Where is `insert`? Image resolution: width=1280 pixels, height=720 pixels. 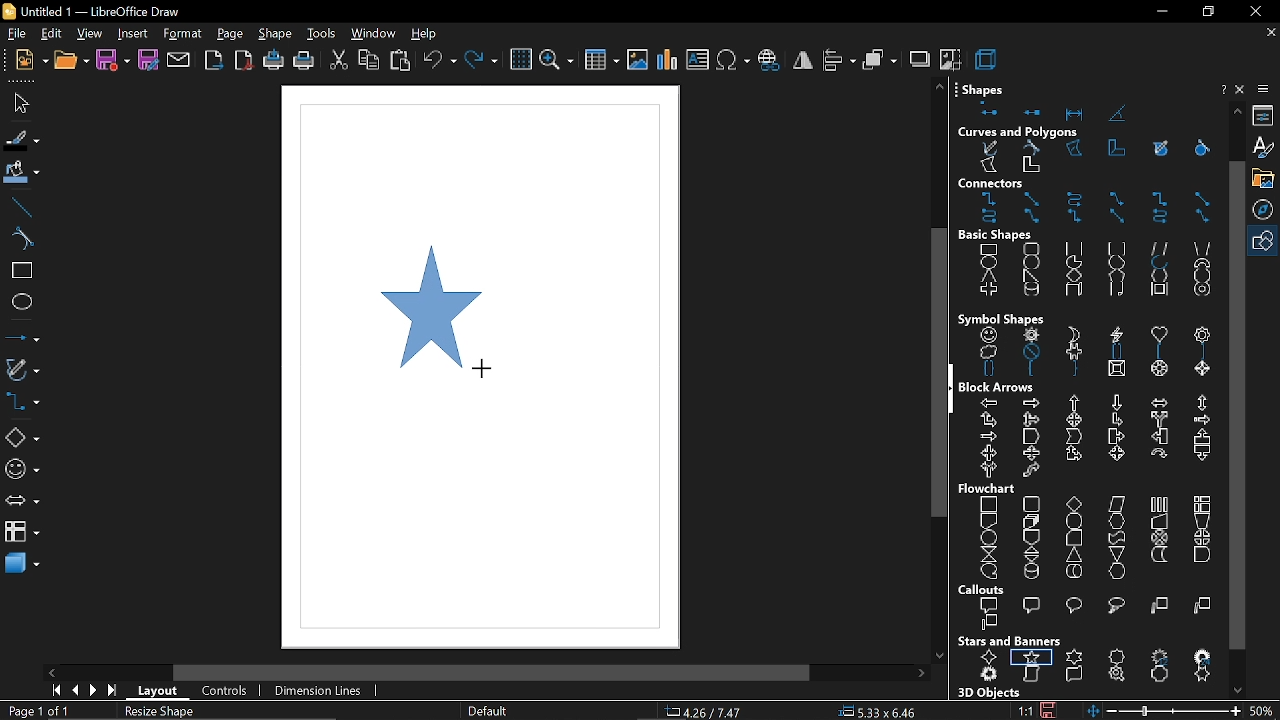
insert is located at coordinates (130, 34).